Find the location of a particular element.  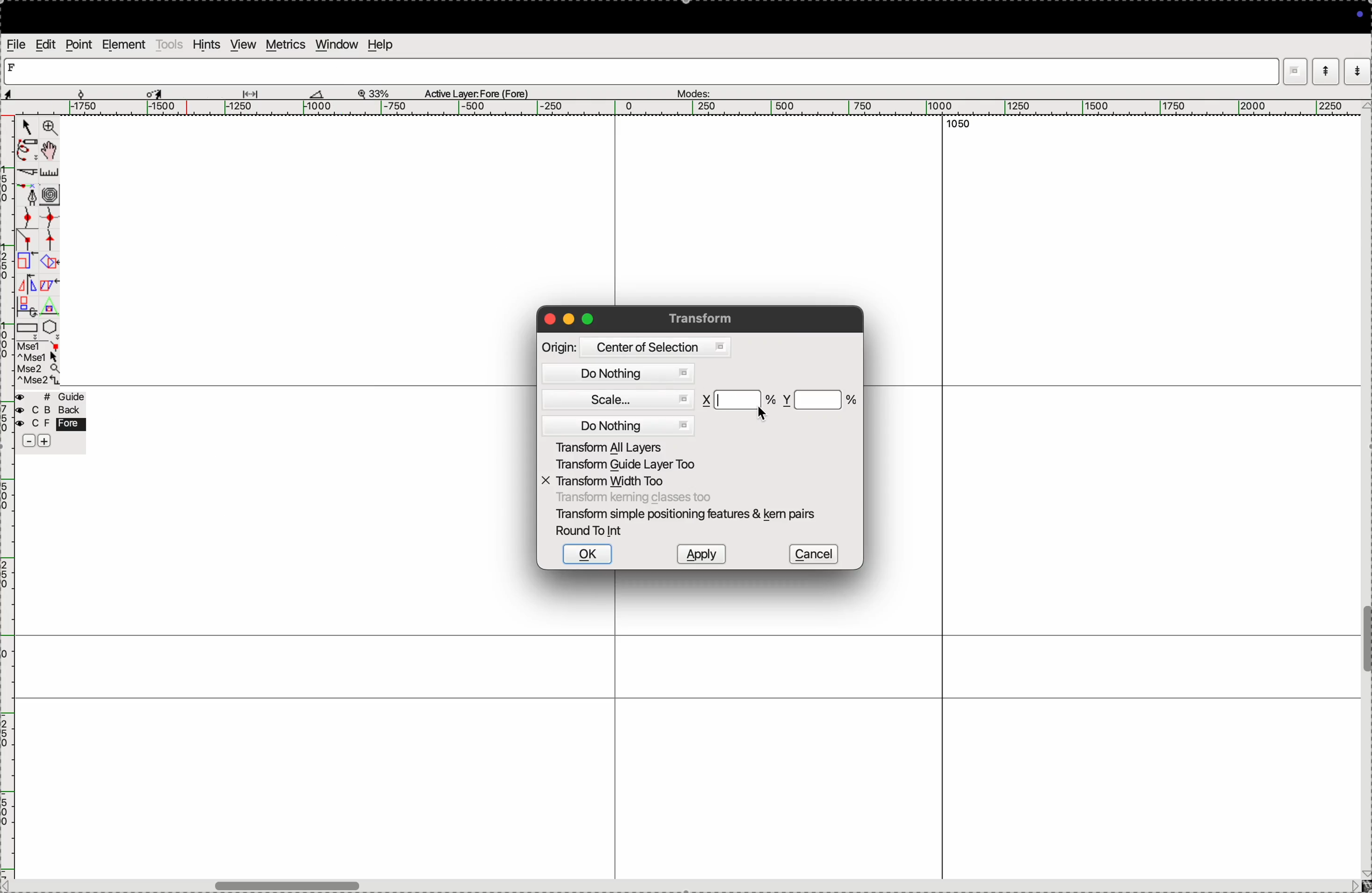

edit is located at coordinates (47, 44).